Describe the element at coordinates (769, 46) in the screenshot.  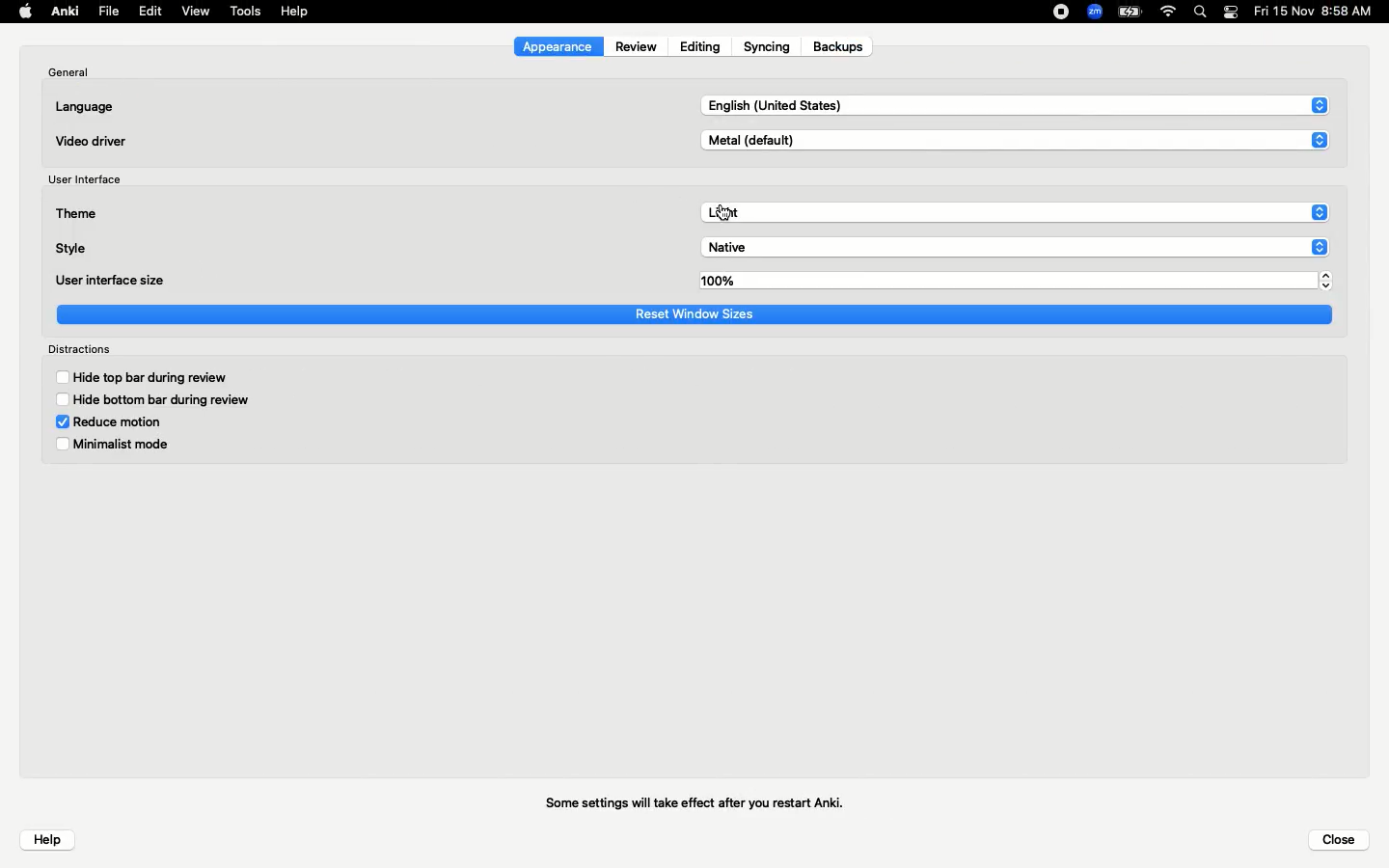
I see `Syncing` at that location.